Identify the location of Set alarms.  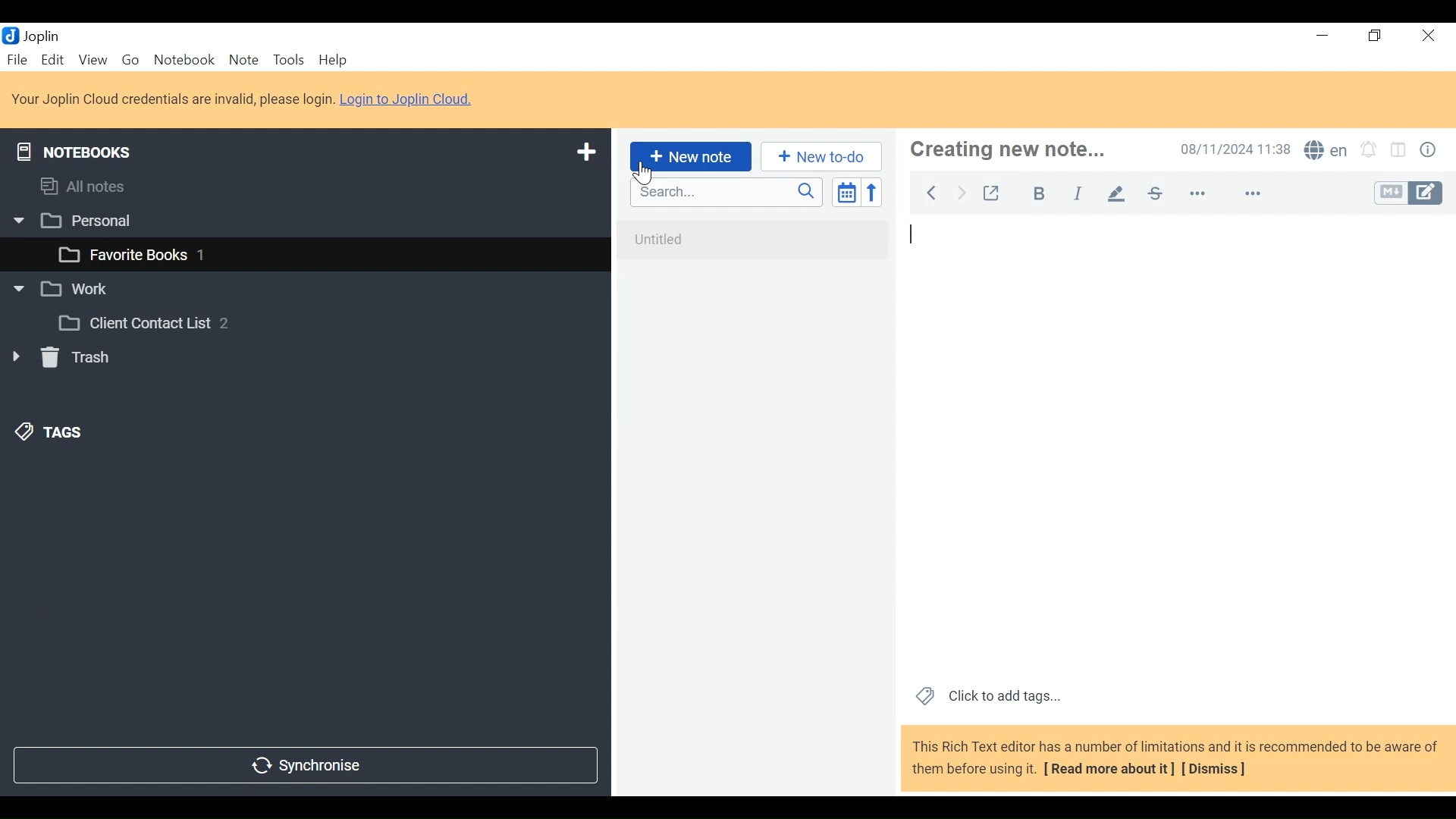
(1368, 152).